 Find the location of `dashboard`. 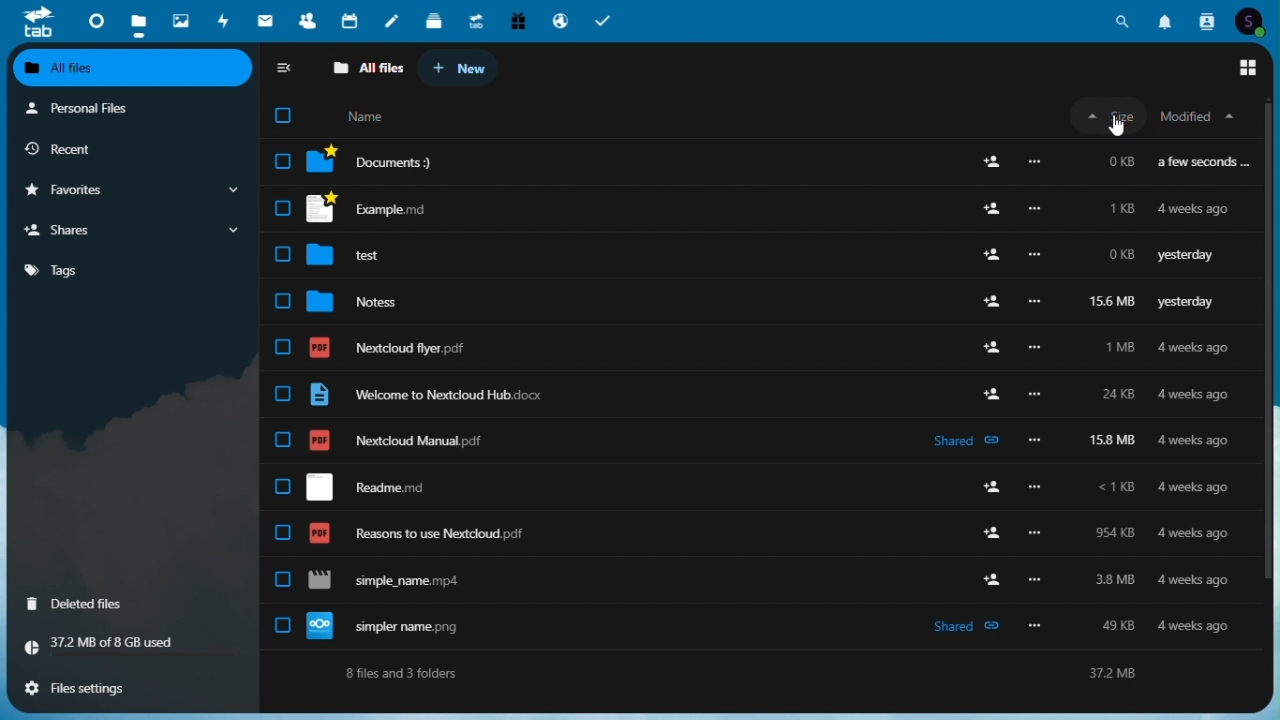

dashboard is located at coordinates (91, 20).